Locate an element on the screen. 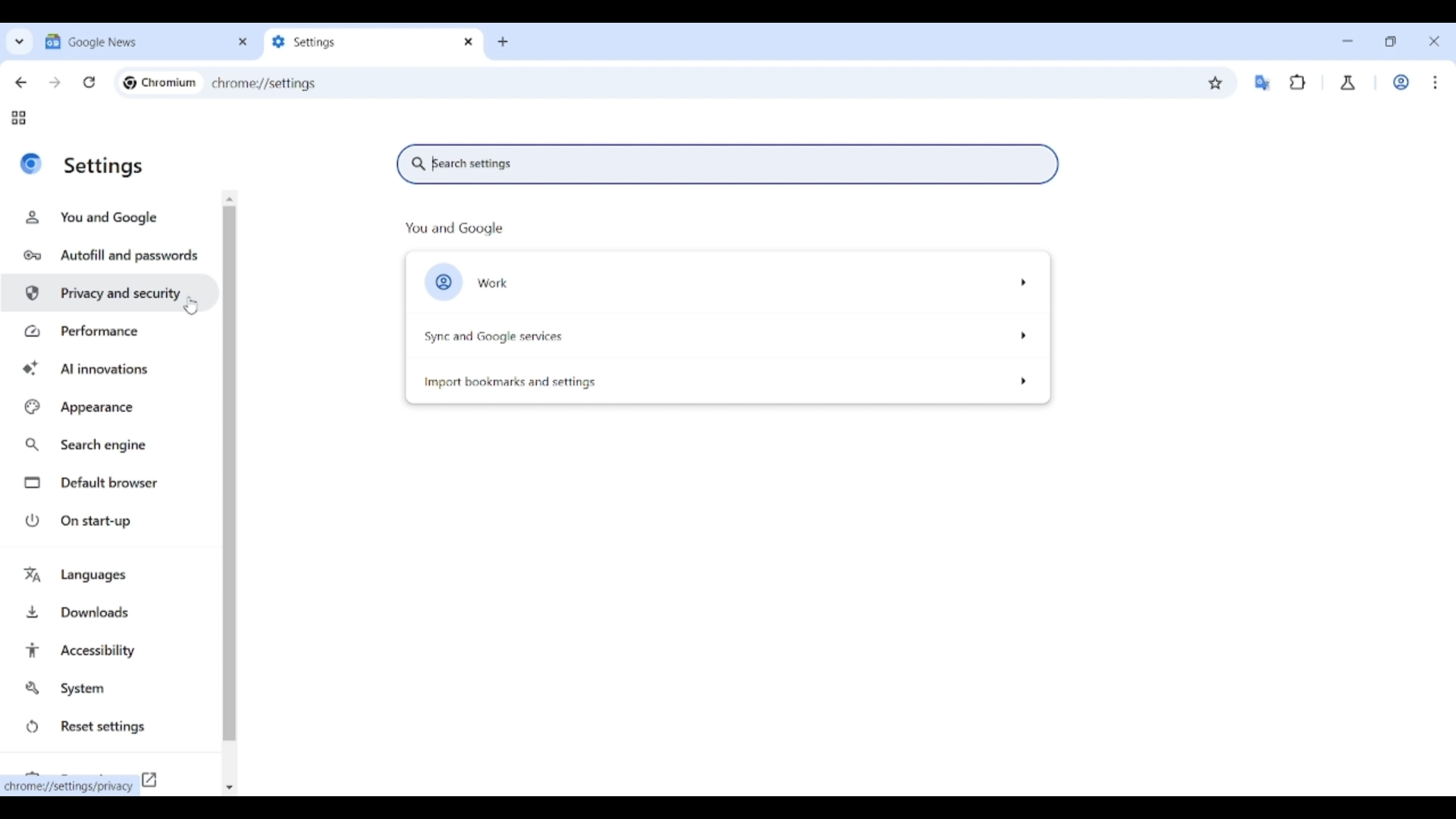 The image size is (1456, 819). chrome//settings/privacy is located at coordinates (71, 787).